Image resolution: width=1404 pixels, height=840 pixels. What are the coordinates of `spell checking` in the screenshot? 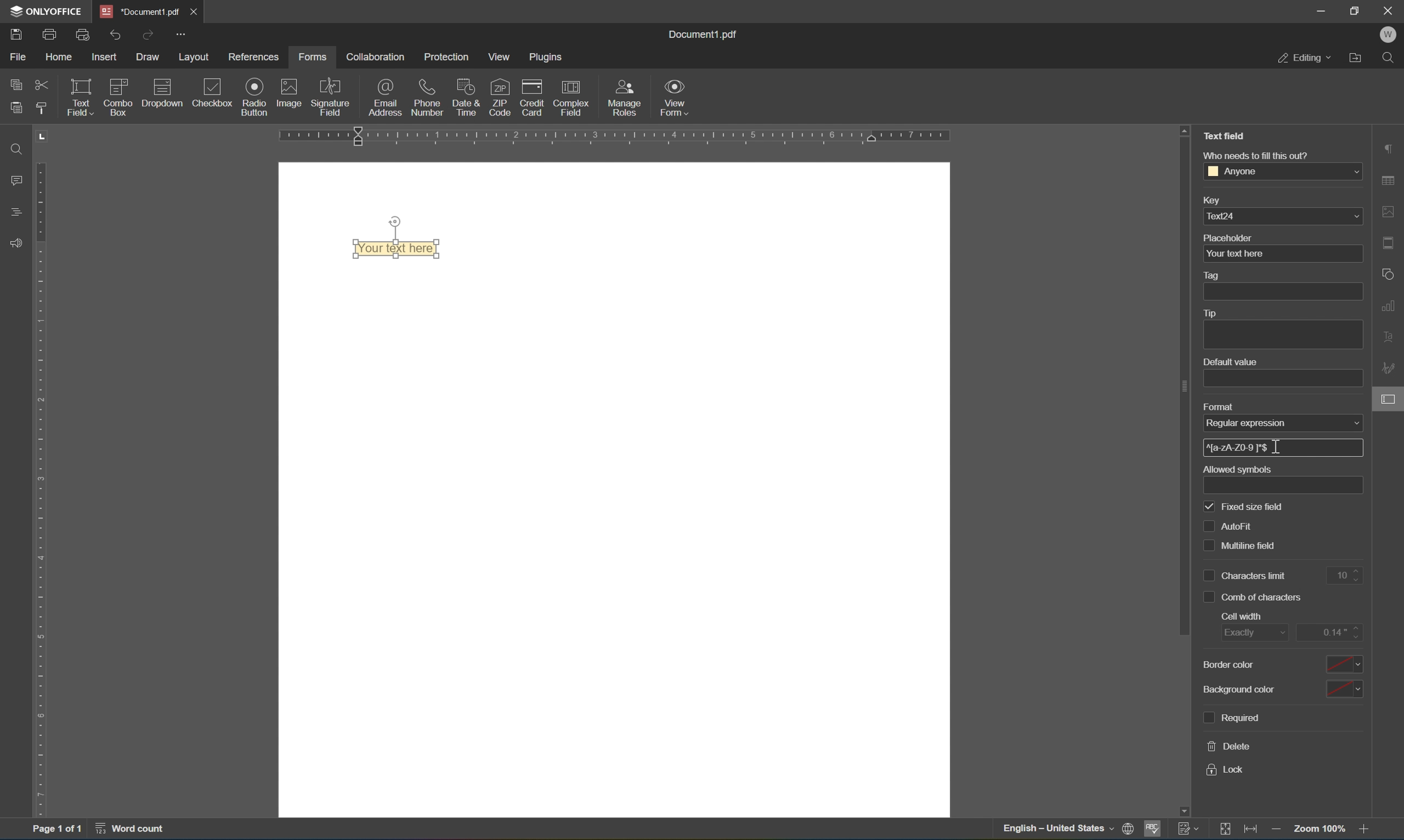 It's located at (1153, 832).